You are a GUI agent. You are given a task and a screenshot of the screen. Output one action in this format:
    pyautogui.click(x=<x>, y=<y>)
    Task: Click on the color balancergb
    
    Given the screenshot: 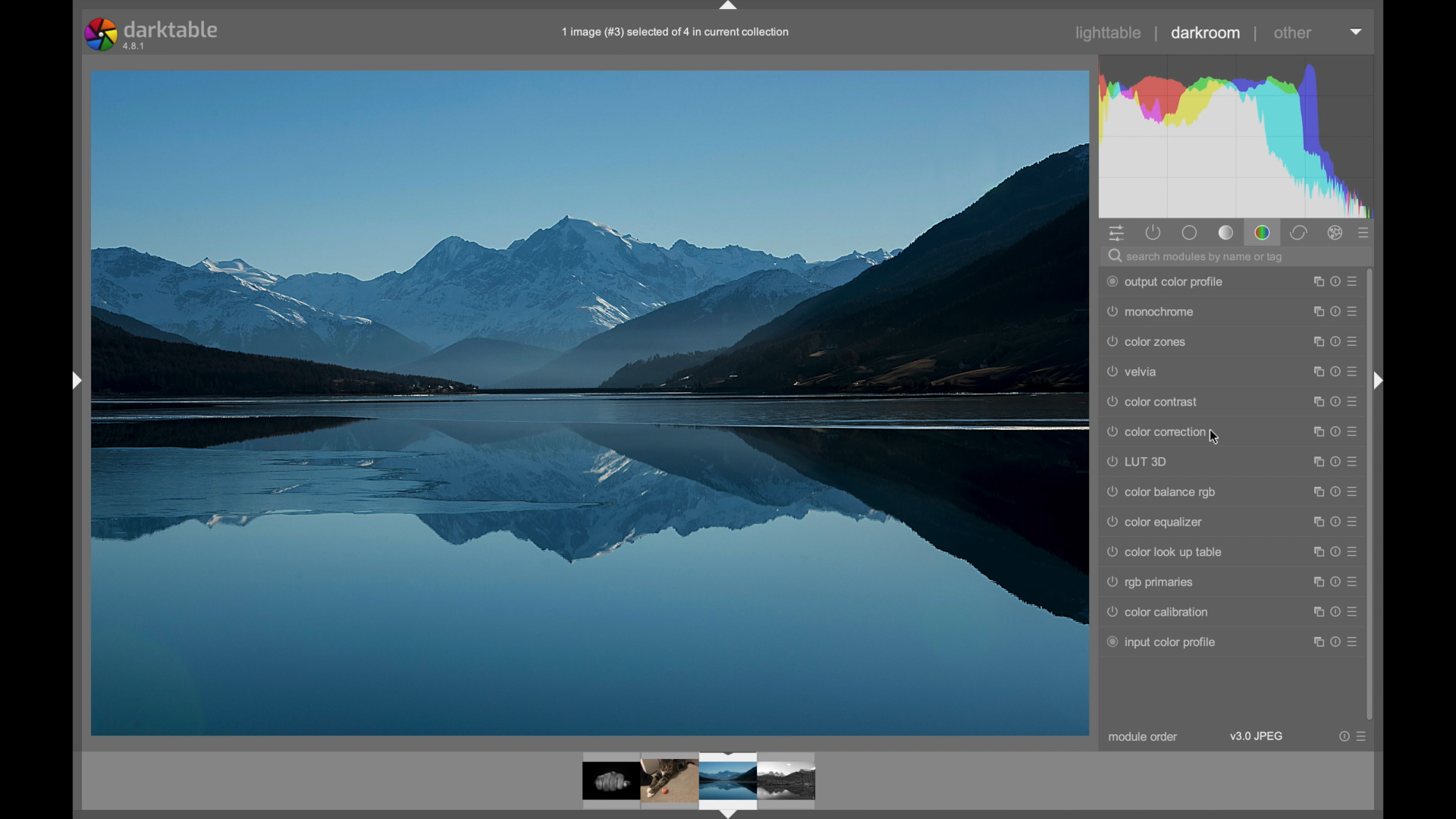 What is the action you would take?
    pyautogui.click(x=1162, y=494)
    